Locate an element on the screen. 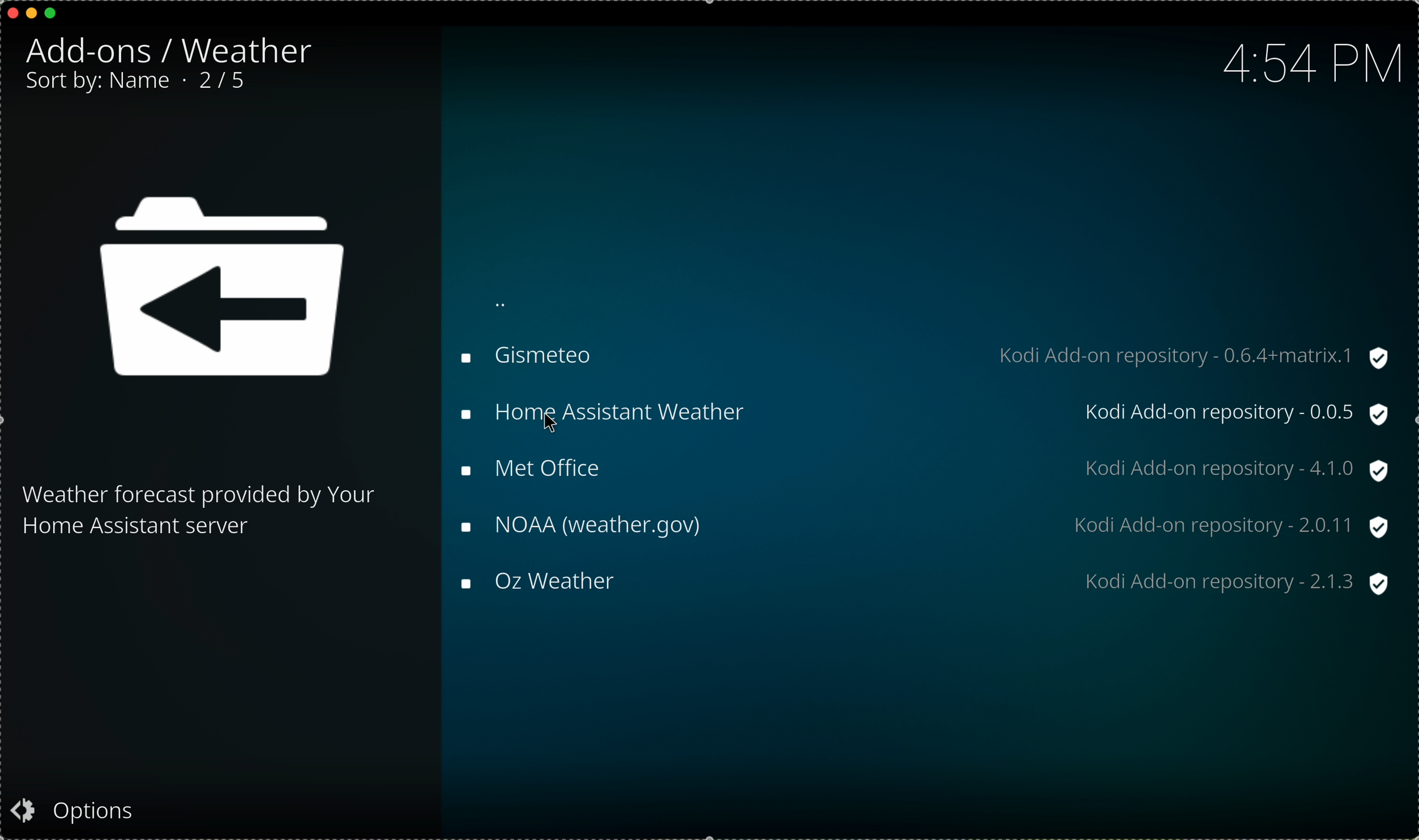 The width and height of the screenshot is (1419, 840). back is located at coordinates (502, 303).